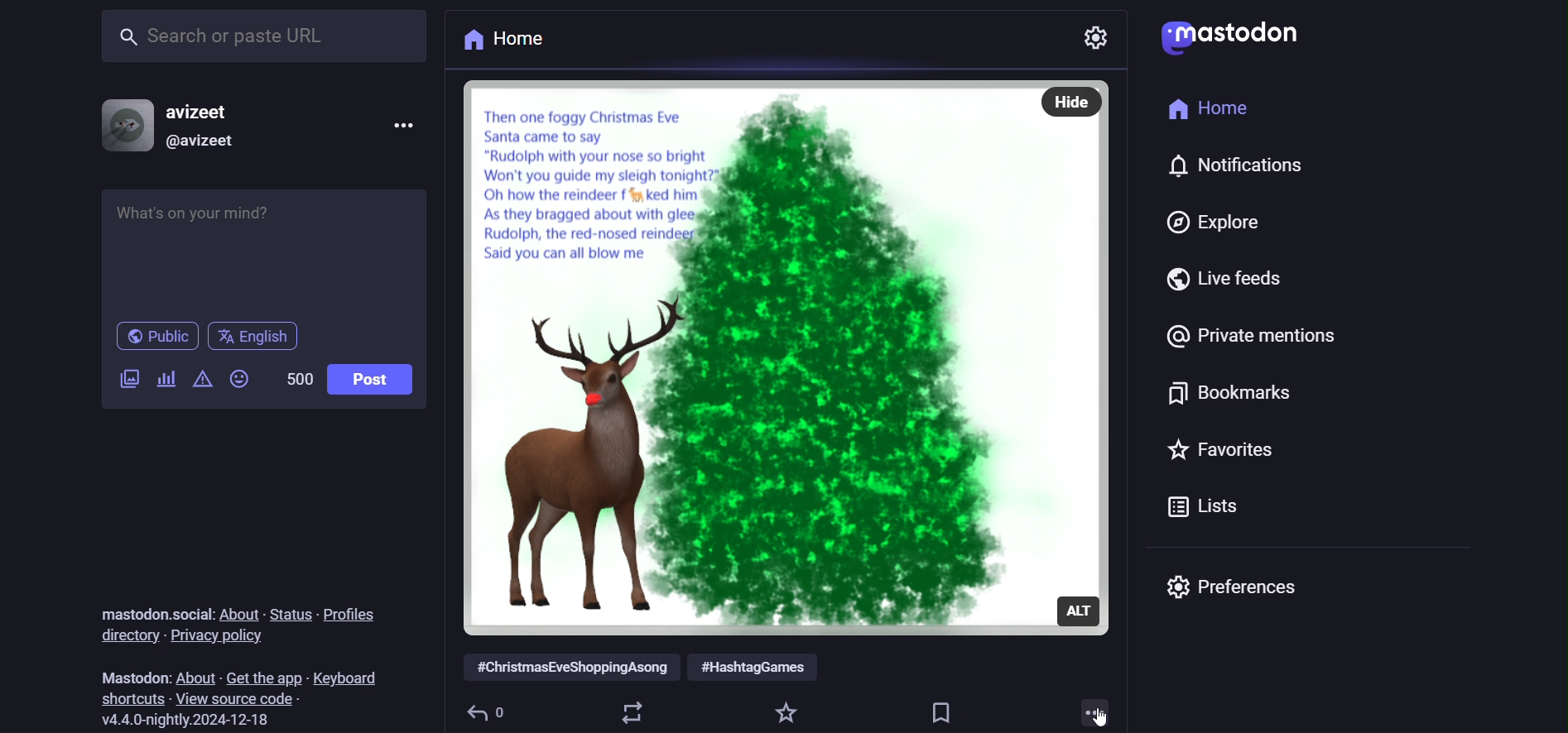 This screenshot has width=1568, height=733. I want to click on setting, so click(1100, 32).